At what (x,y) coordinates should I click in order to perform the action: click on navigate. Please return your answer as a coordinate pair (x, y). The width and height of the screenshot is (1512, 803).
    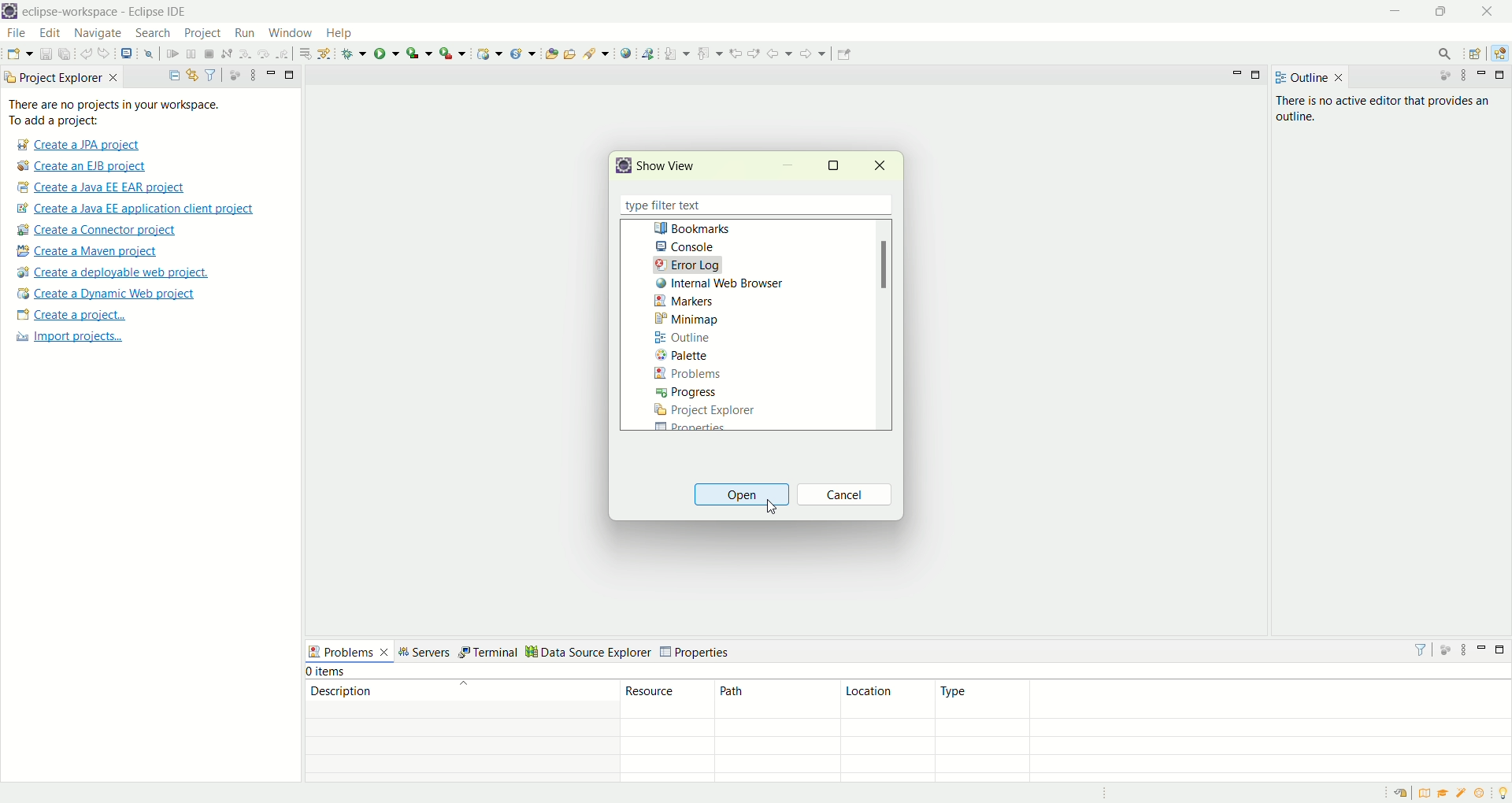
    Looking at the image, I should click on (99, 32).